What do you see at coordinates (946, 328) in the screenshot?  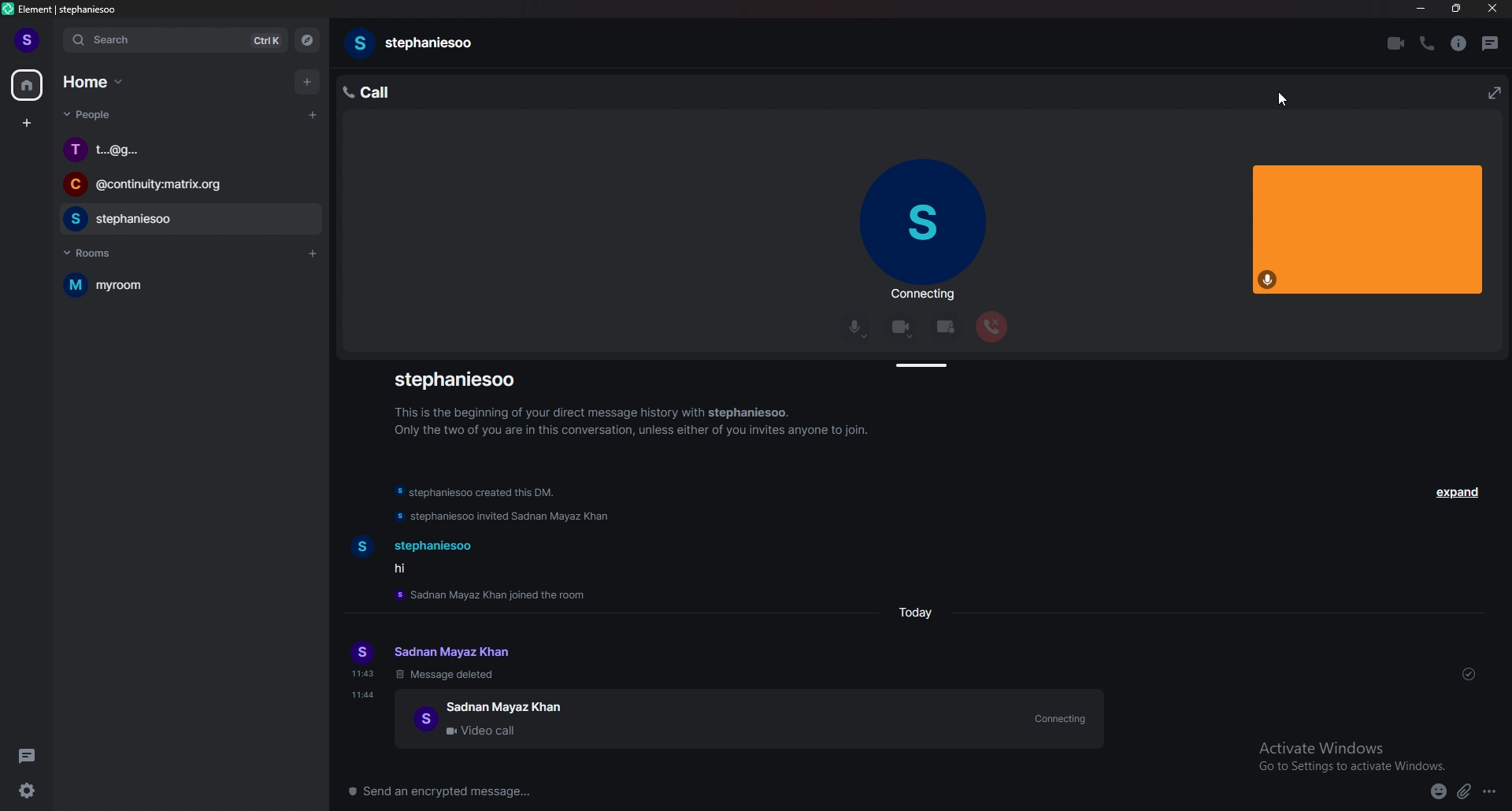 I see `share screen` at bounding box center [946, 328].